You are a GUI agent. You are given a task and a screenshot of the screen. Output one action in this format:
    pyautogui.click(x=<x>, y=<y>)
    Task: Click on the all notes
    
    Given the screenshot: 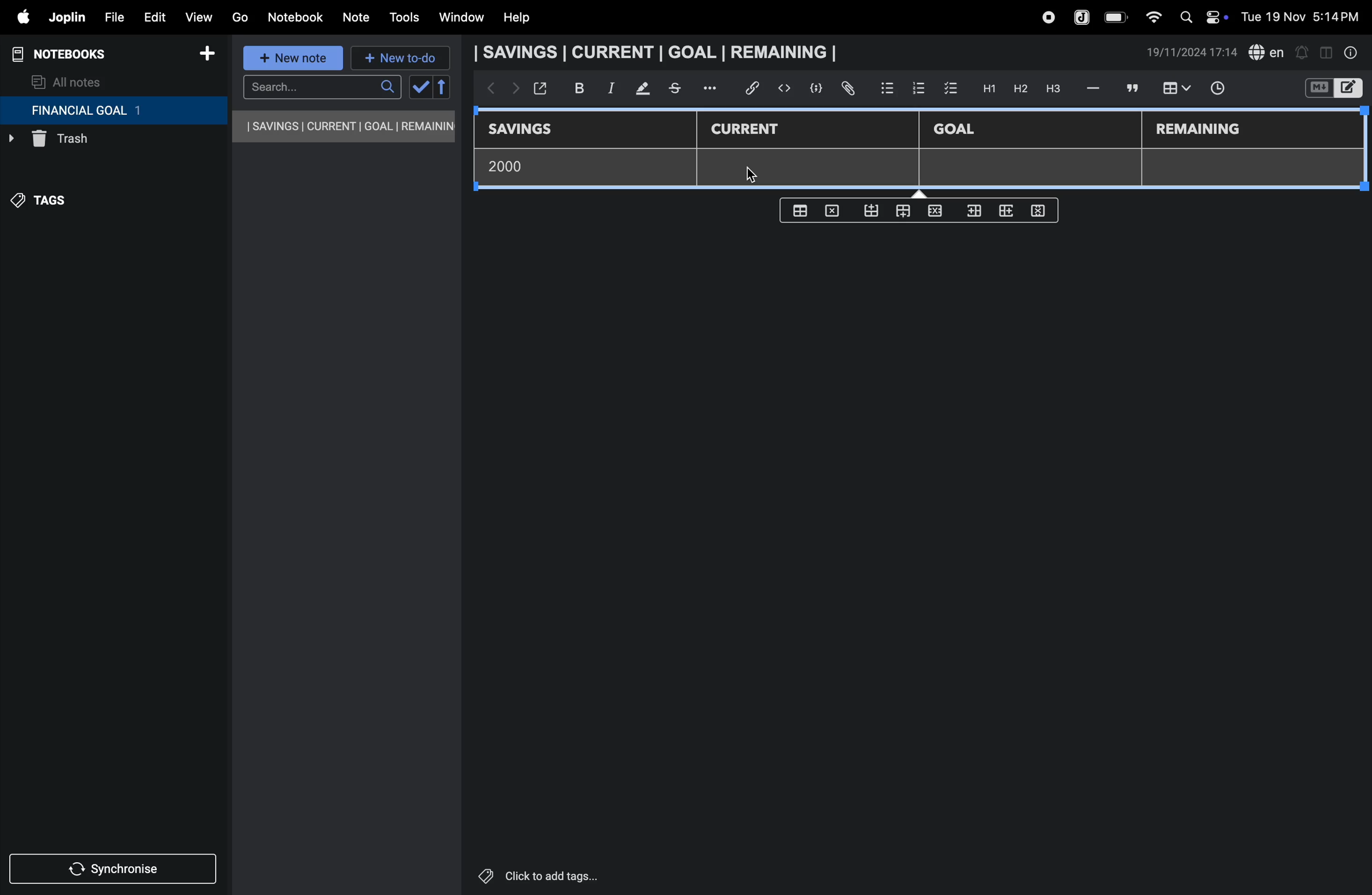 What is the action you would take?
    pyautogui.click(x=67, y=81)
    